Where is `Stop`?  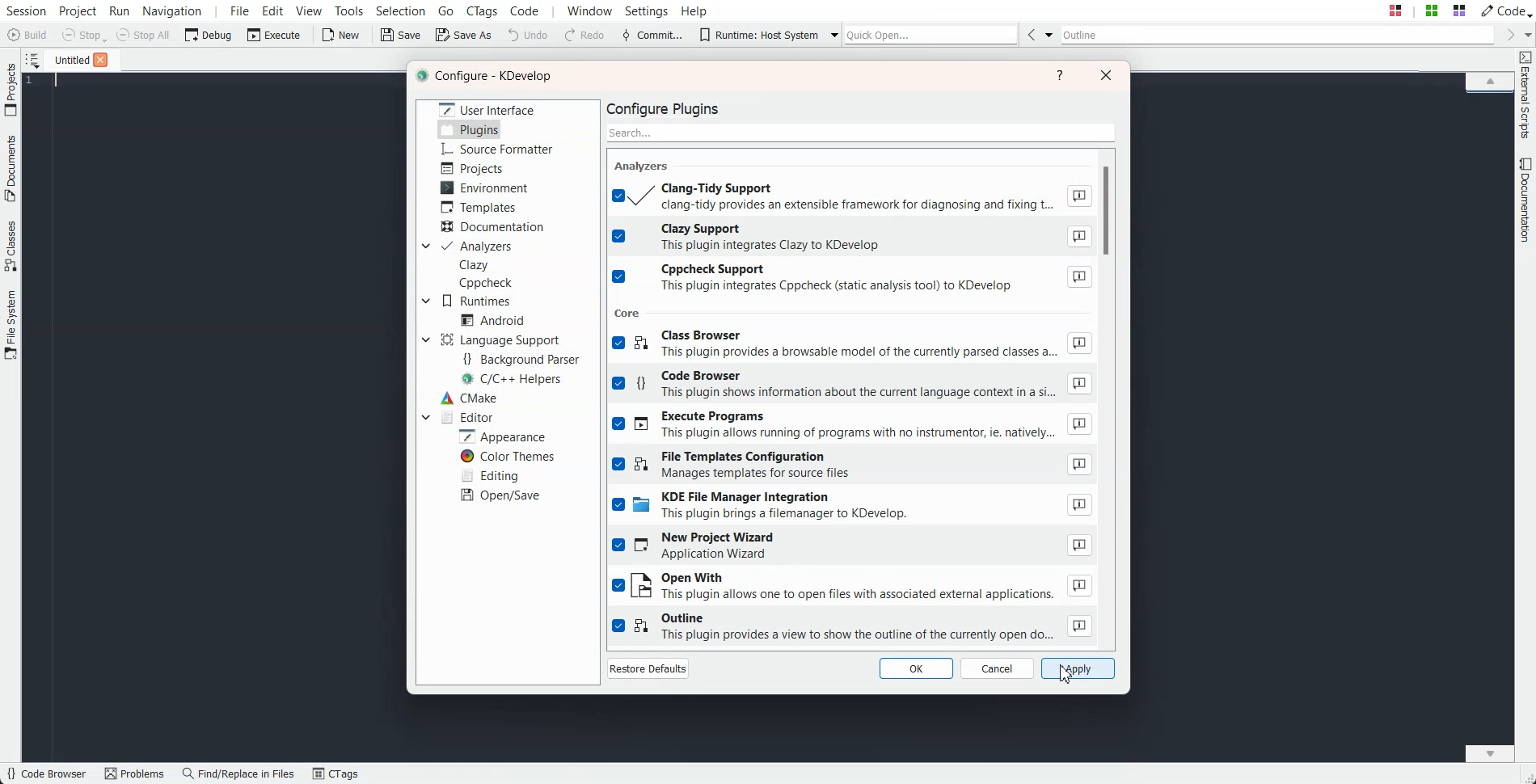 Stop is located at coordinates (84, 36).